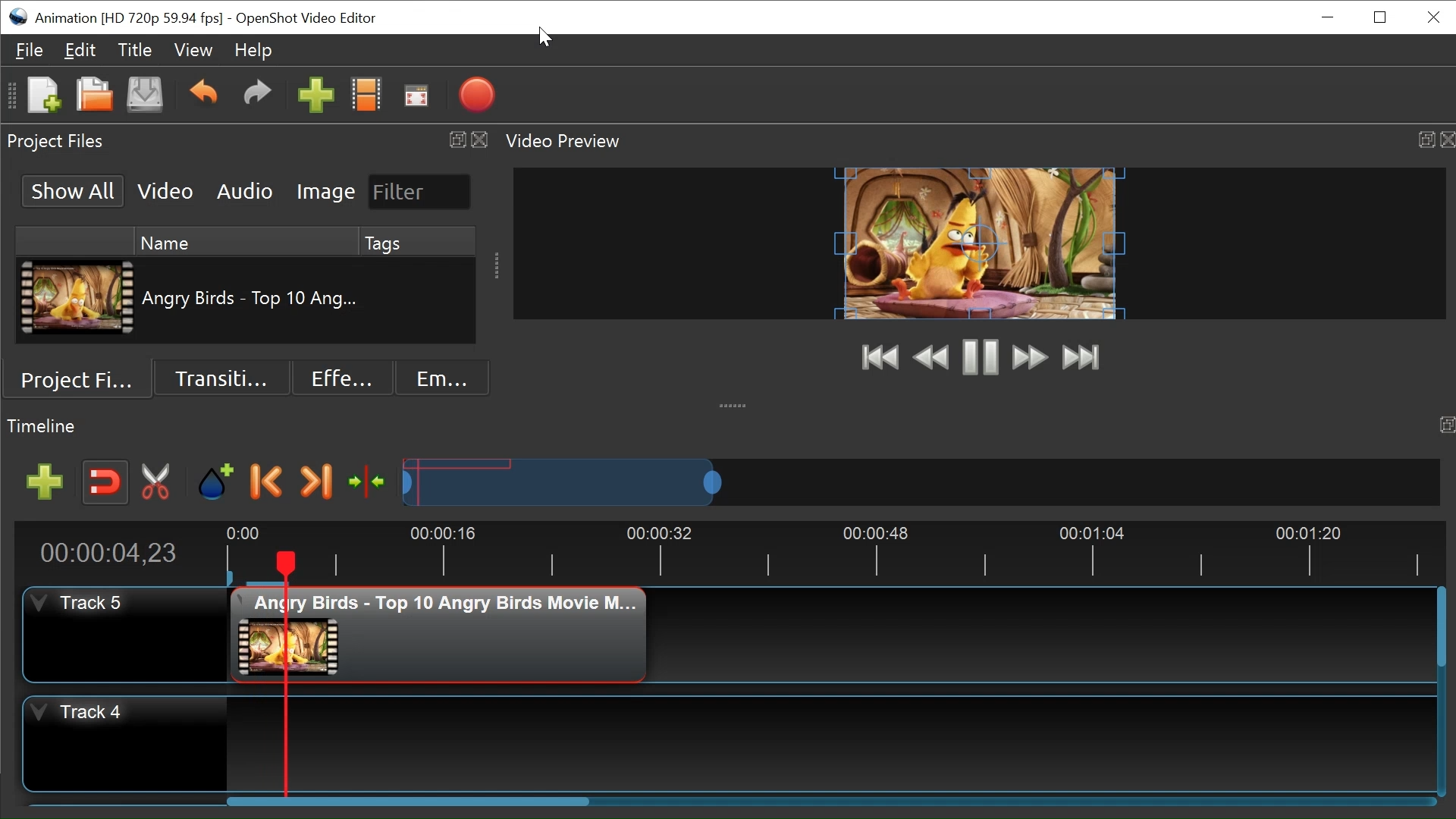  I want to click on Restore, so click(1382, 17).